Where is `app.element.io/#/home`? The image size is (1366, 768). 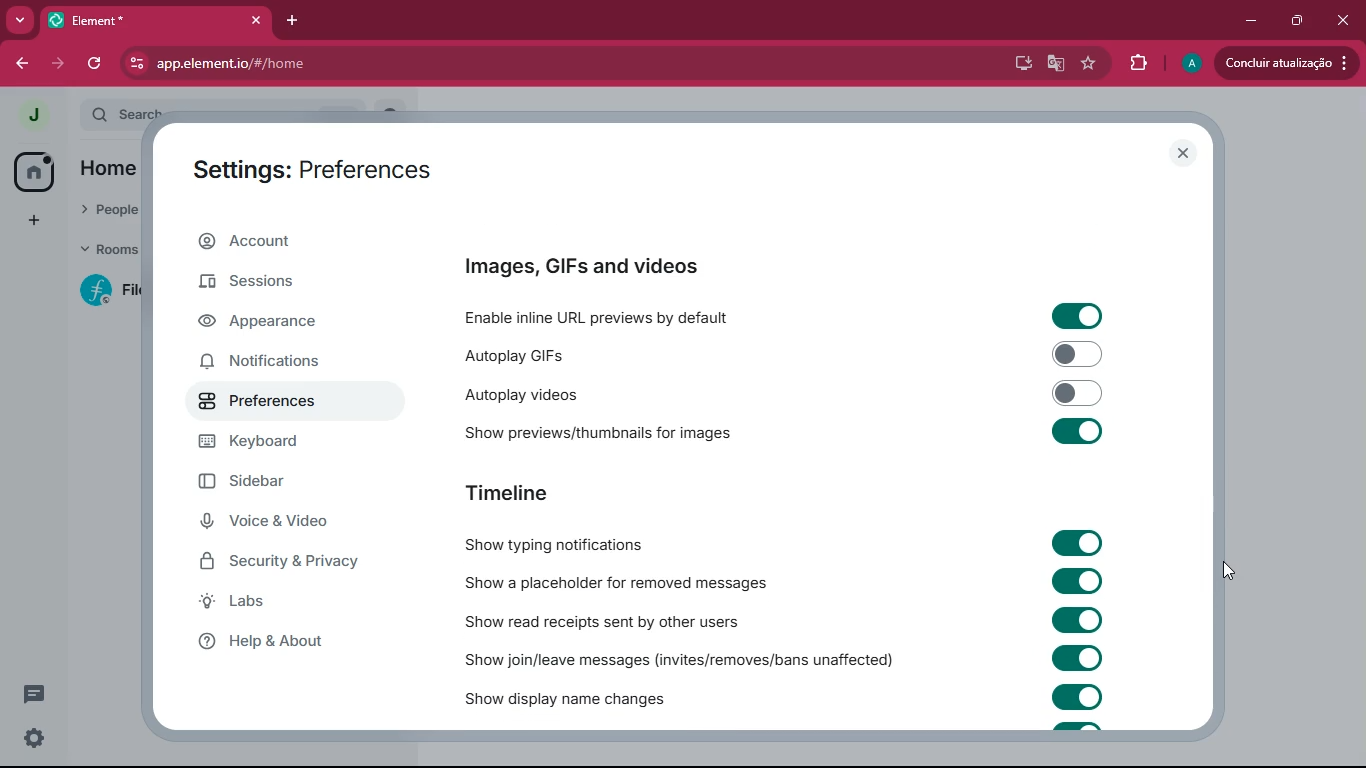
app.element.io/#/home is located at coordinates (351, 63).